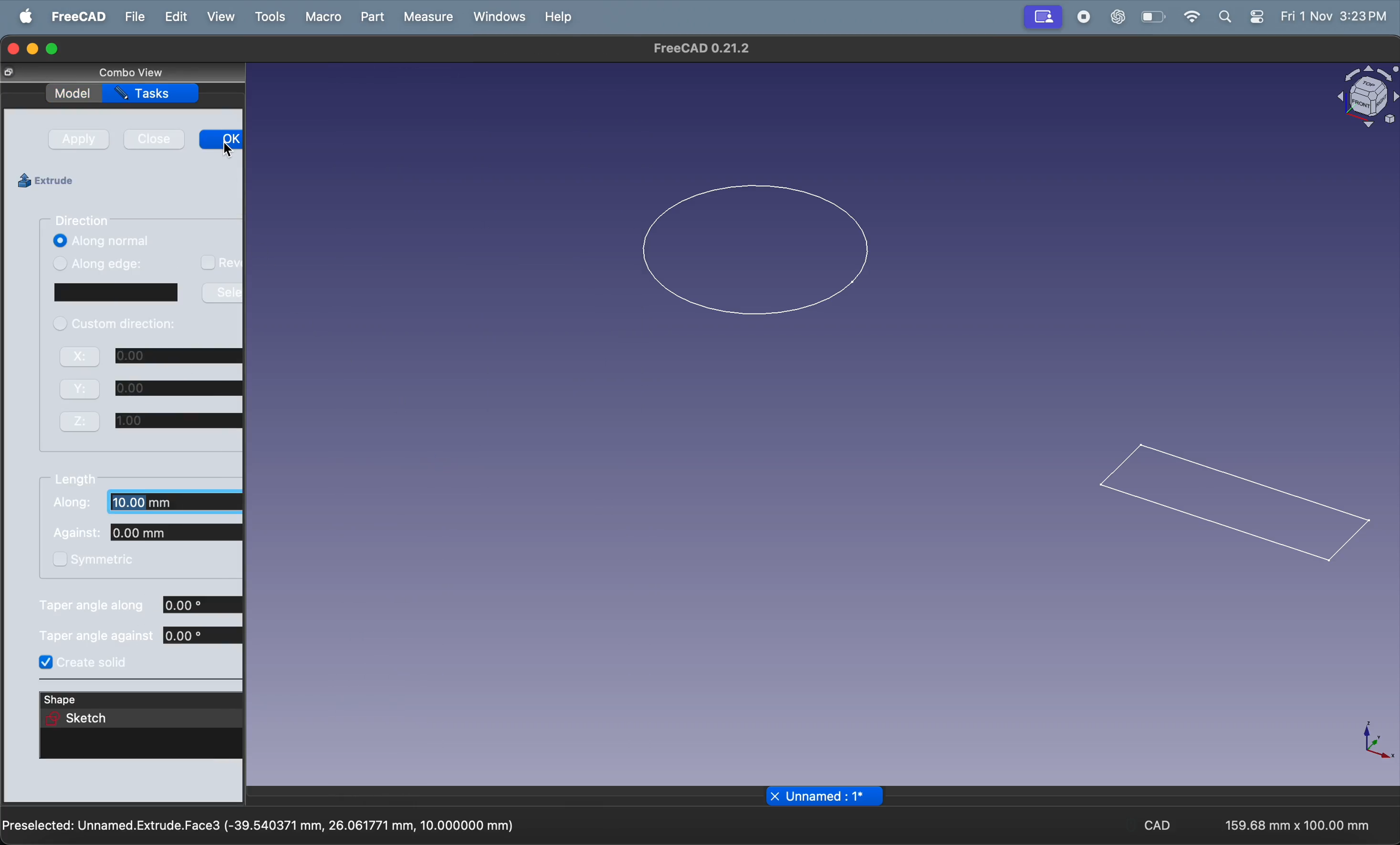  I want to click on 2D rectangle, so click(1234, 507).